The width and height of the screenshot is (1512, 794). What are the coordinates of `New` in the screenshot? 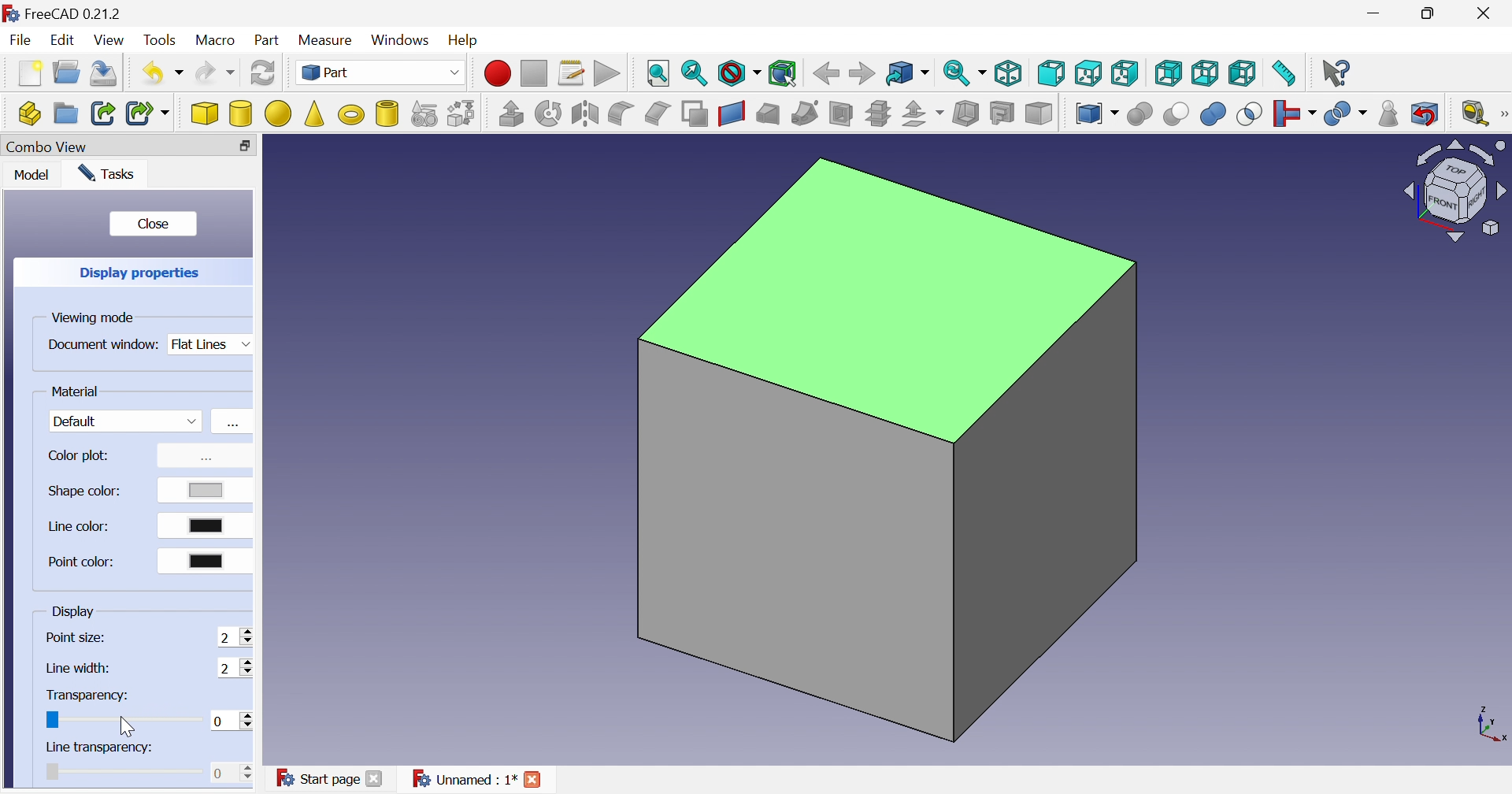 It's located at (31, 73).